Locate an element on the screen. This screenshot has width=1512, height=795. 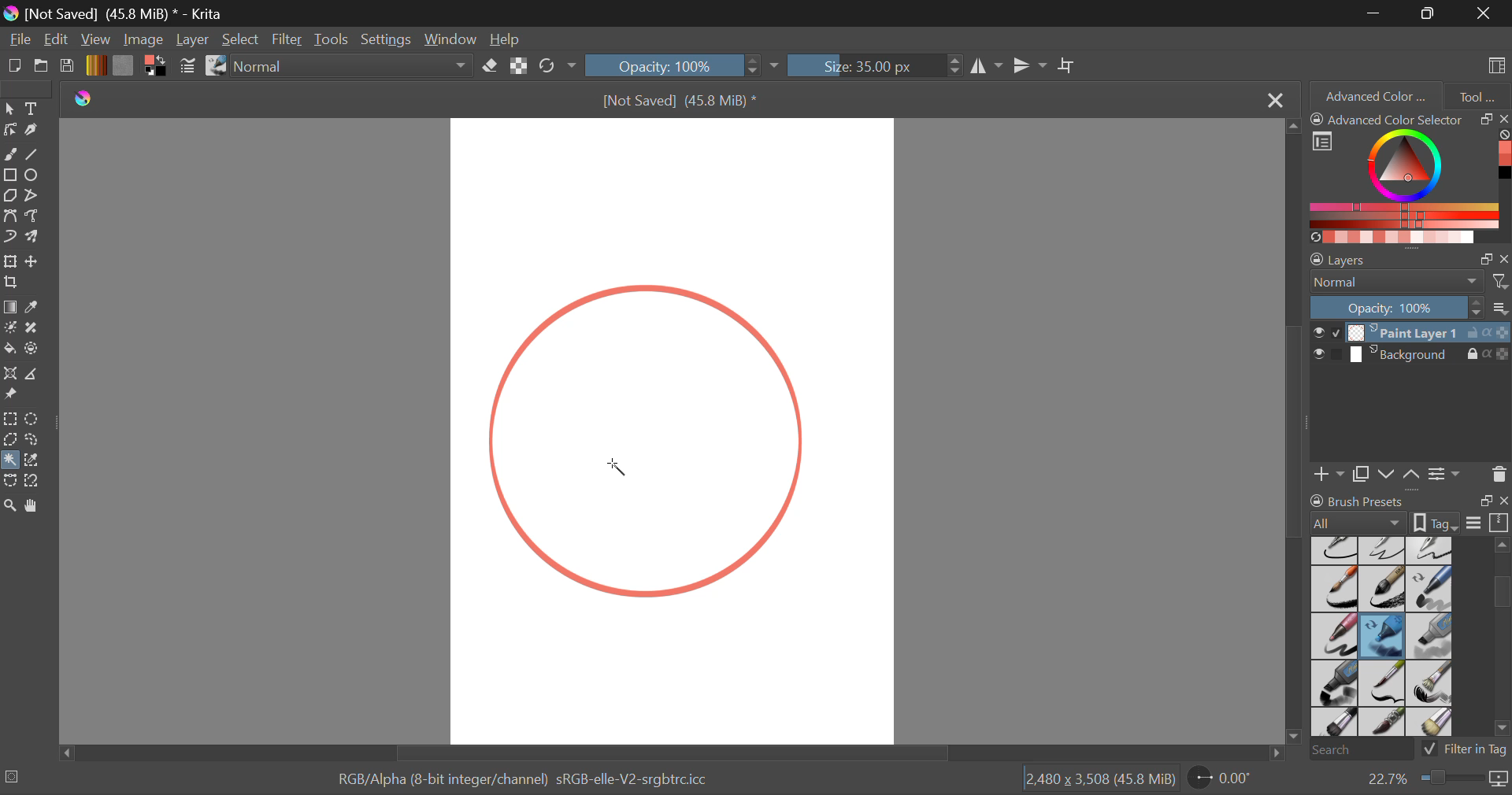
Marker Smooth is located at coordinates (1334, 636).